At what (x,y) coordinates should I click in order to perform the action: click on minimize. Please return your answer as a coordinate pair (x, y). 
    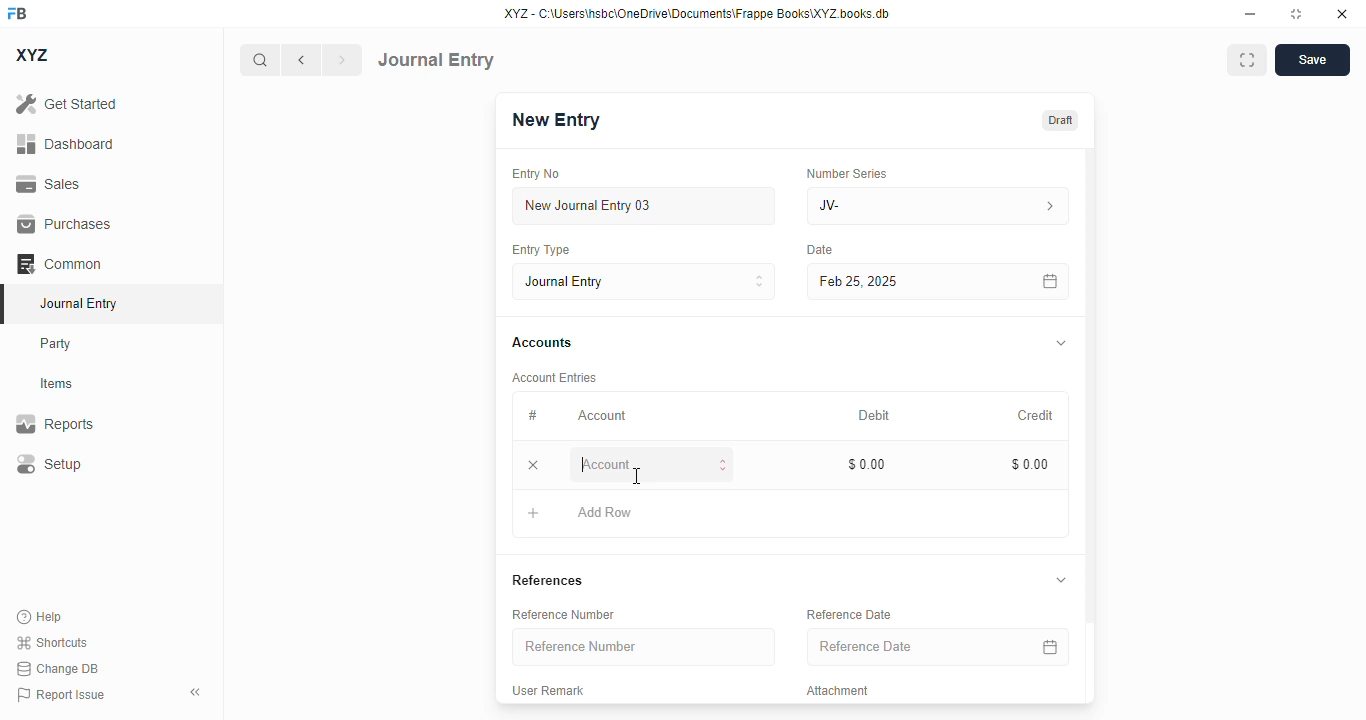
    Looking at the image, I should click on (1251, 13).